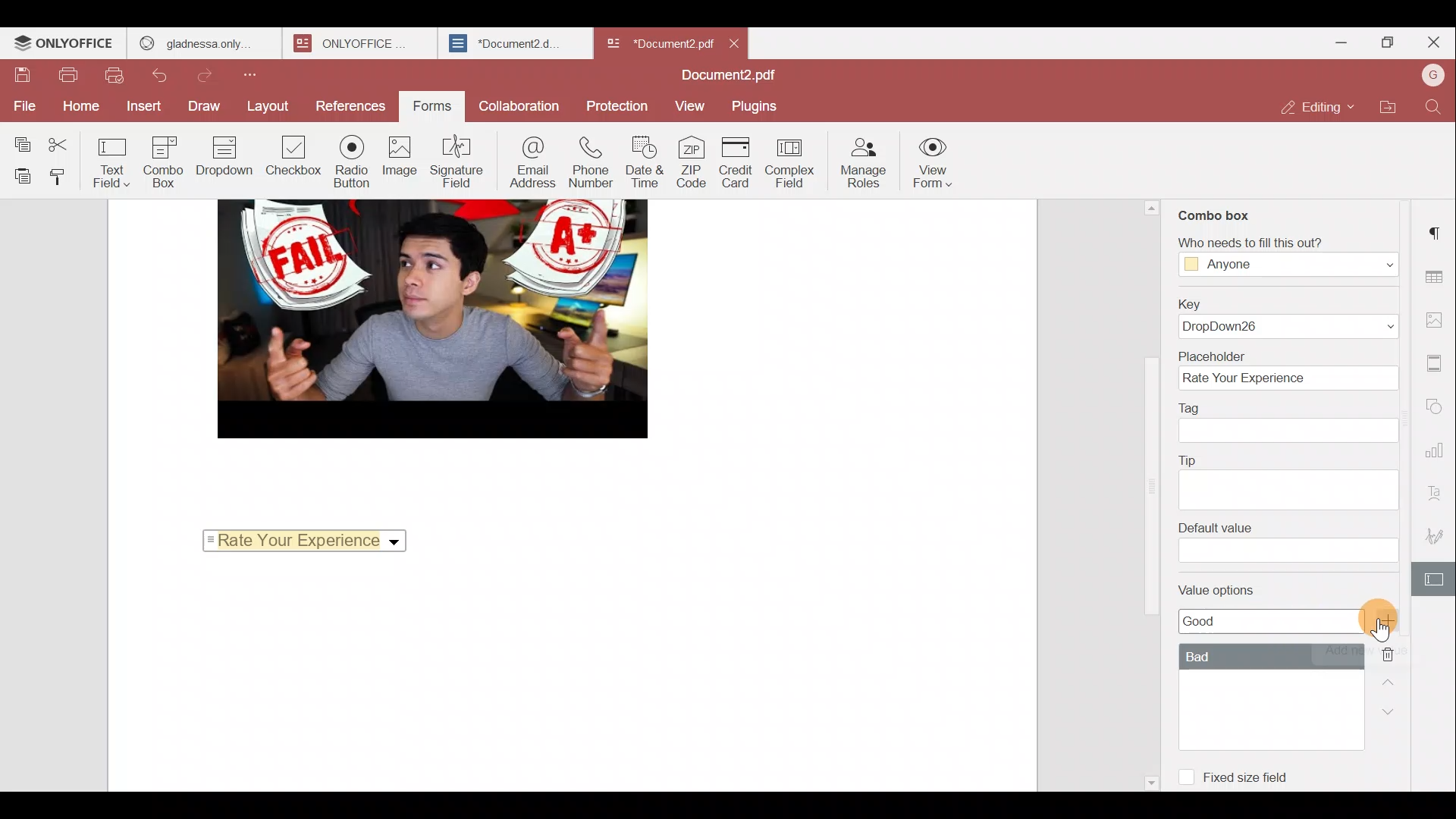 This screenshot has height=819, width=1456. I want to click on Editing mode, so click(1316, 108).